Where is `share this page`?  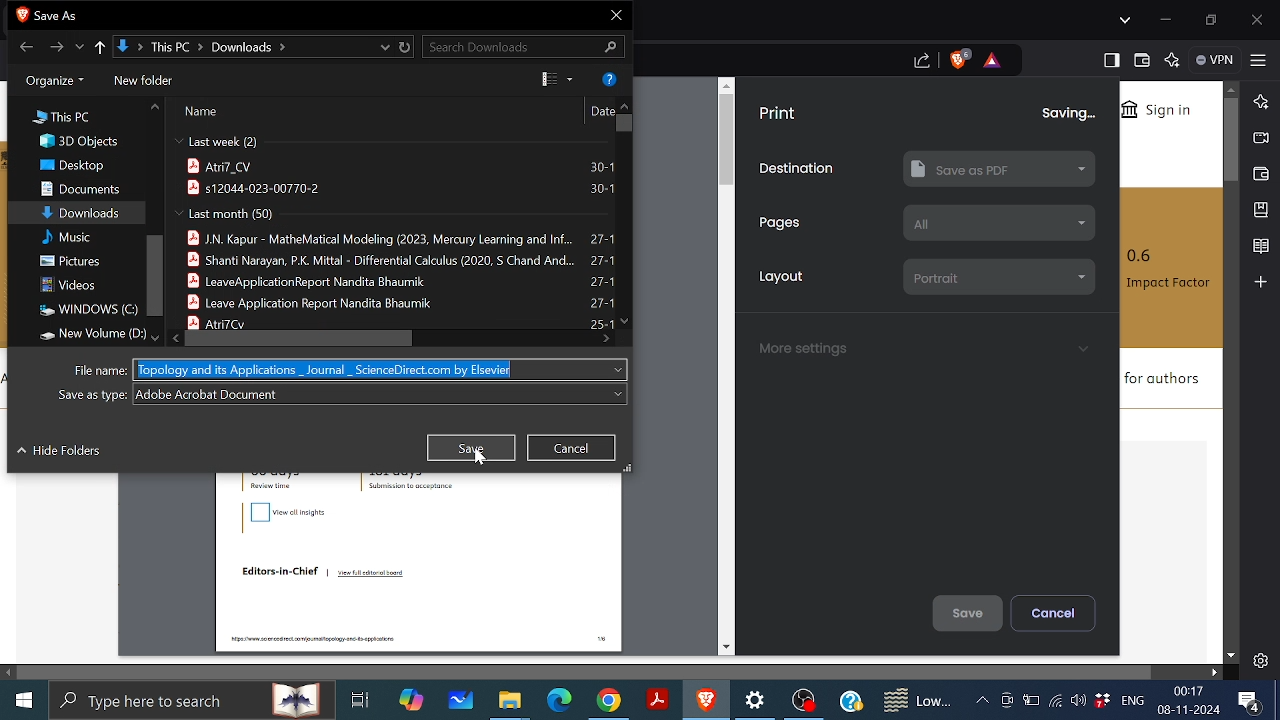
share this page is located at coordinates (924, 61).